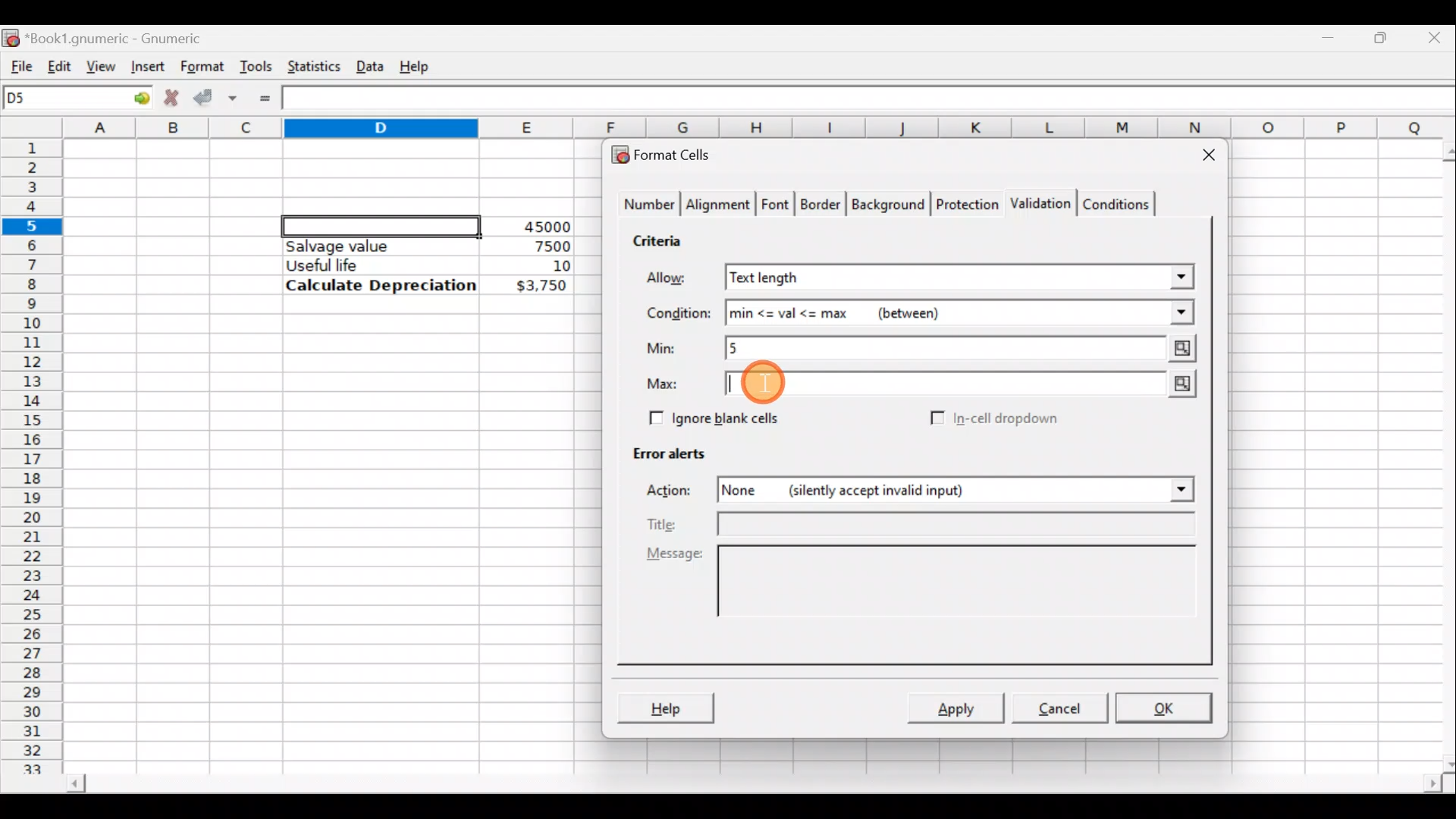 This screenshot has height=819, width=1456. What do you see at coordinates (417, 65) in the screenshot?
I see `Help` at bounding box center [417, 65].